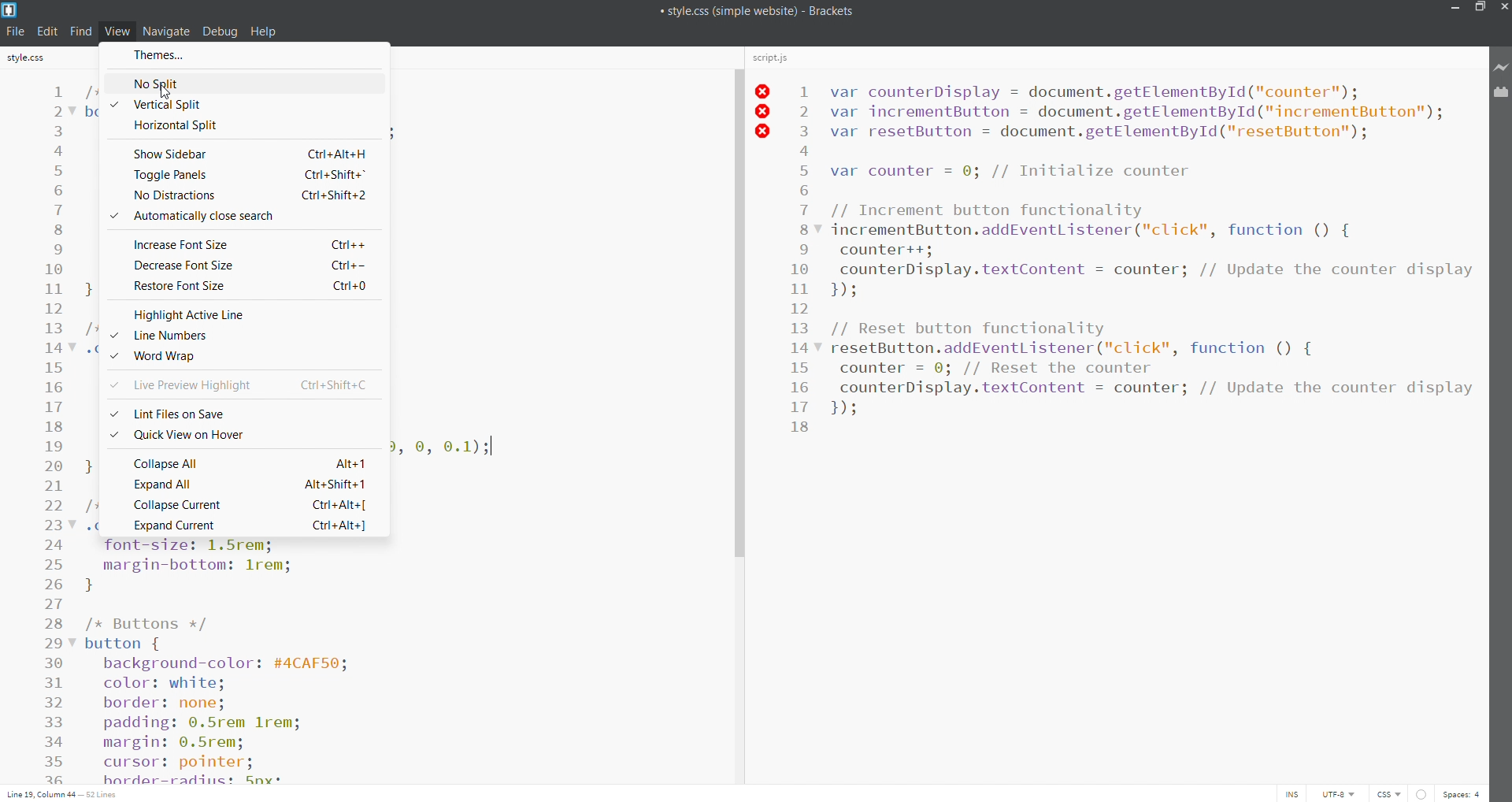 Image resolution: width=1512 pixels, height=802 pixels. What do you see at coordinates (1296, 793) in the screenshot?
I see `toggle cursor` at bounding box center [1296, 793].